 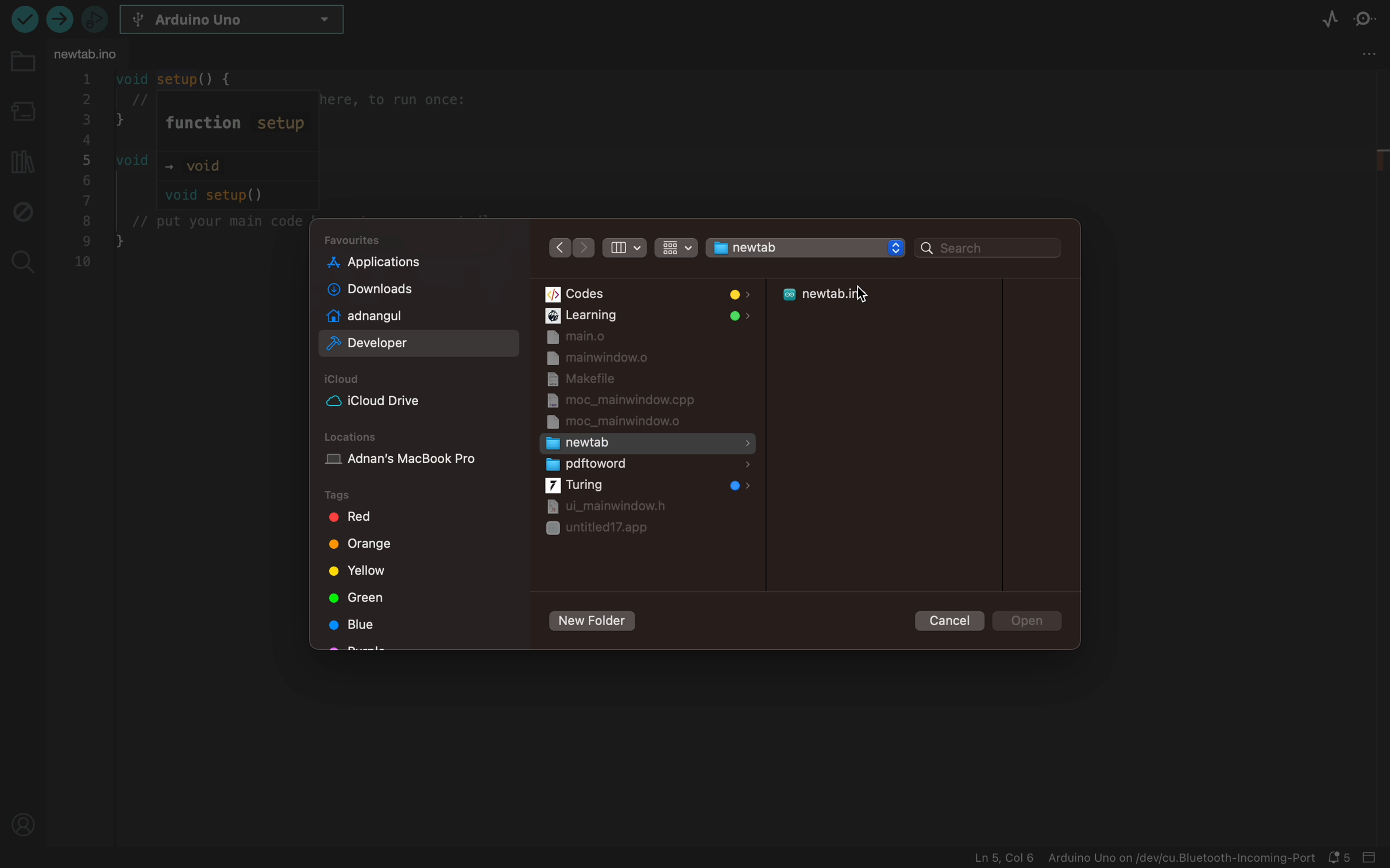 What do you see at coordinates (988, 249) in the screenshot?
I see `search bar` at bounding box center [988, 249].